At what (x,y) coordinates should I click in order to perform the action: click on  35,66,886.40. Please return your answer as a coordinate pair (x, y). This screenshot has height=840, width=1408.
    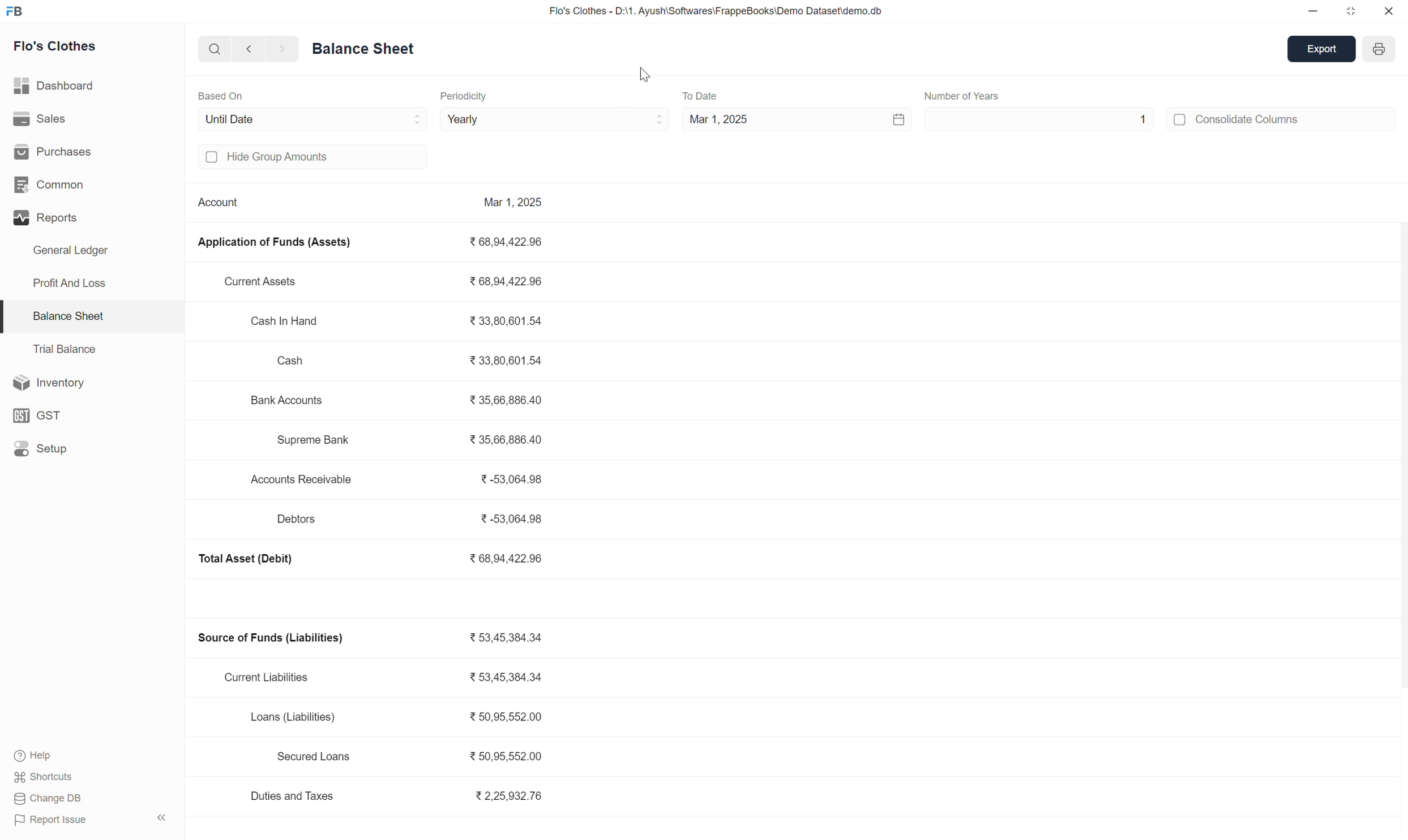
    Looking at the image, I should click on (512, 440).